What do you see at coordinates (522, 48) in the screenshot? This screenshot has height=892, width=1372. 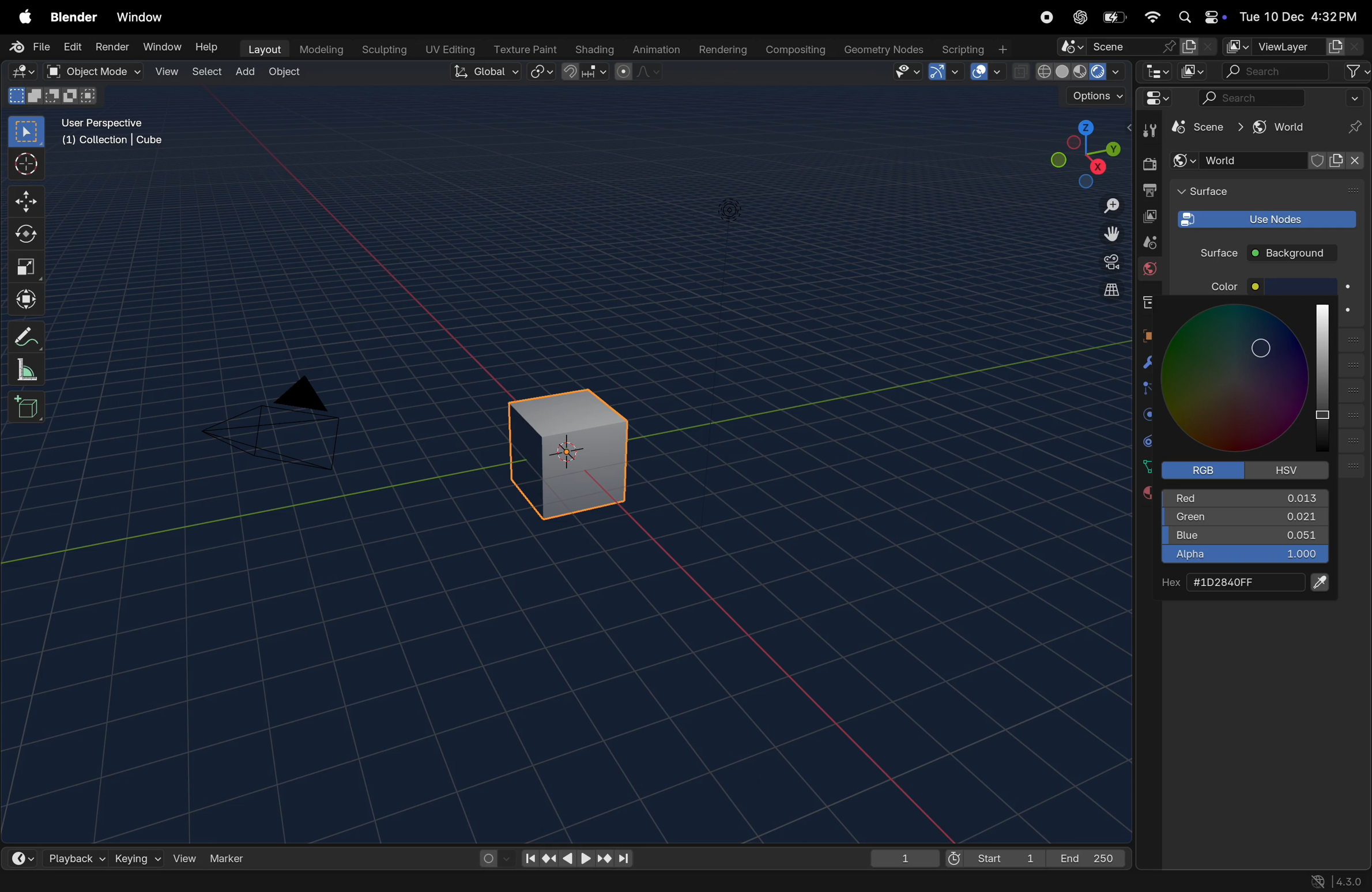 I see `texture paint` at bounding box center [522, 48].